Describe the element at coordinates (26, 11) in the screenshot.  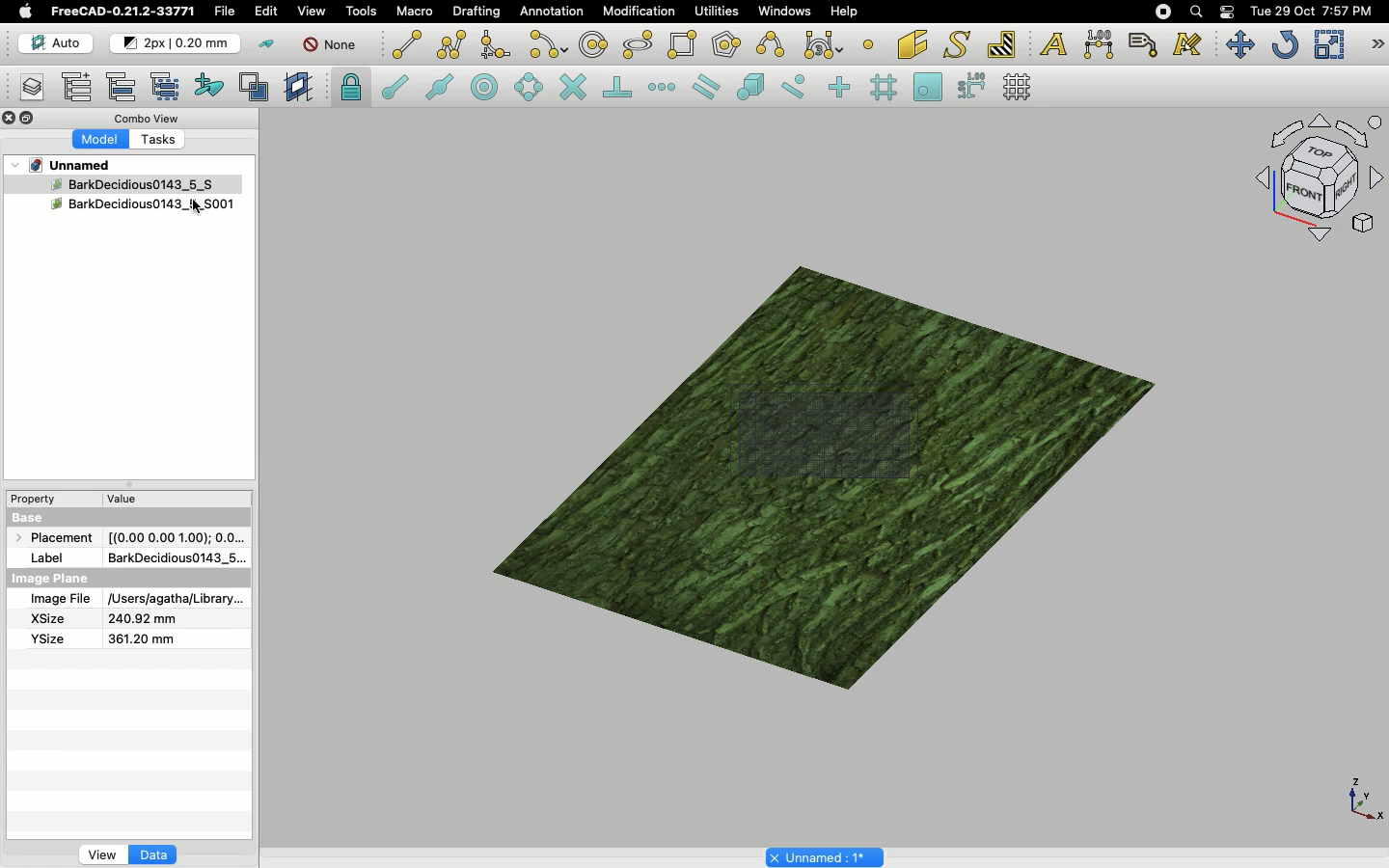
I see `Apple log` at that location.